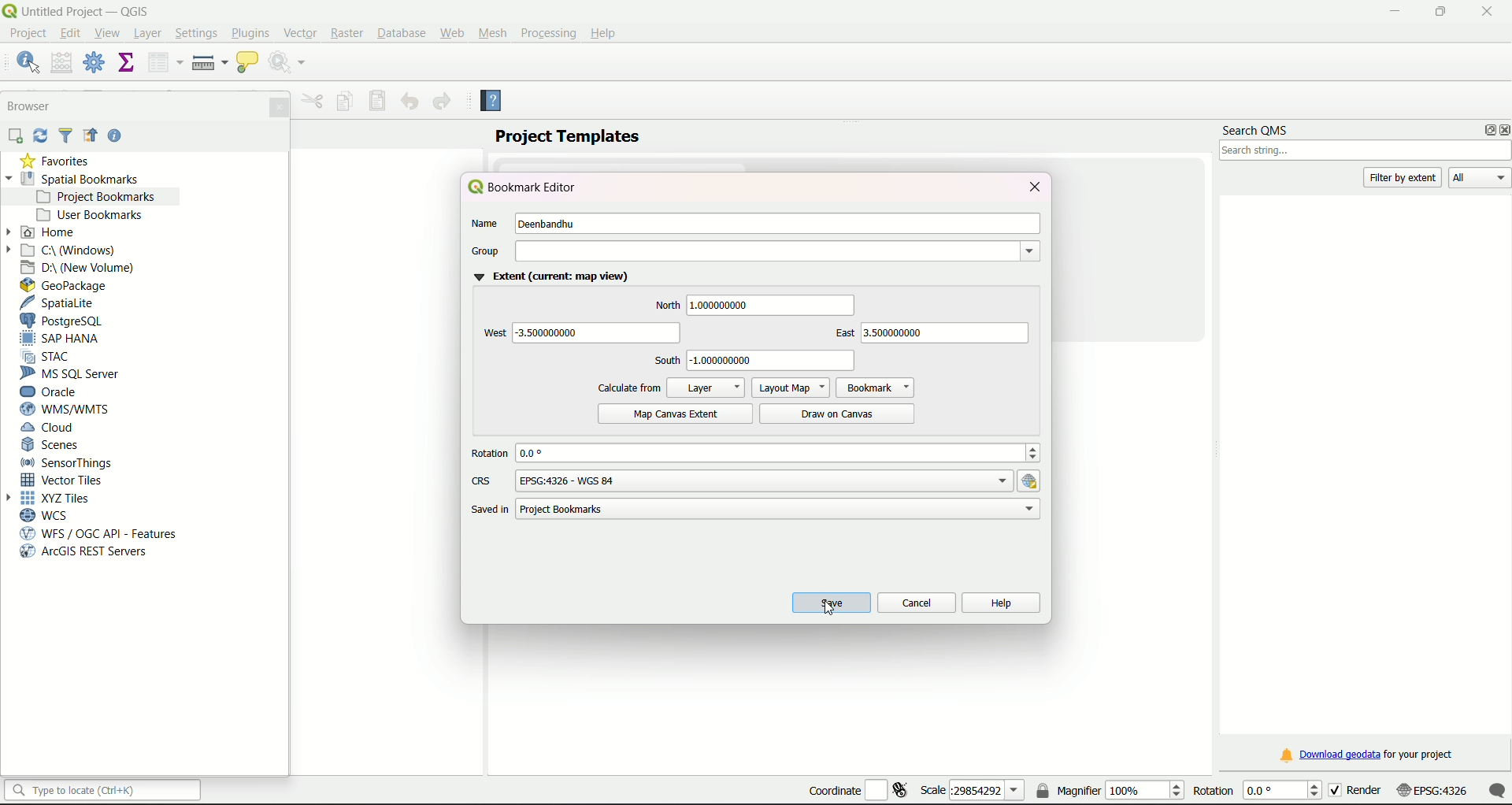  Describe the element at coordinates (97, 196) in the screenshot. I see `project bookmarks` at that location.